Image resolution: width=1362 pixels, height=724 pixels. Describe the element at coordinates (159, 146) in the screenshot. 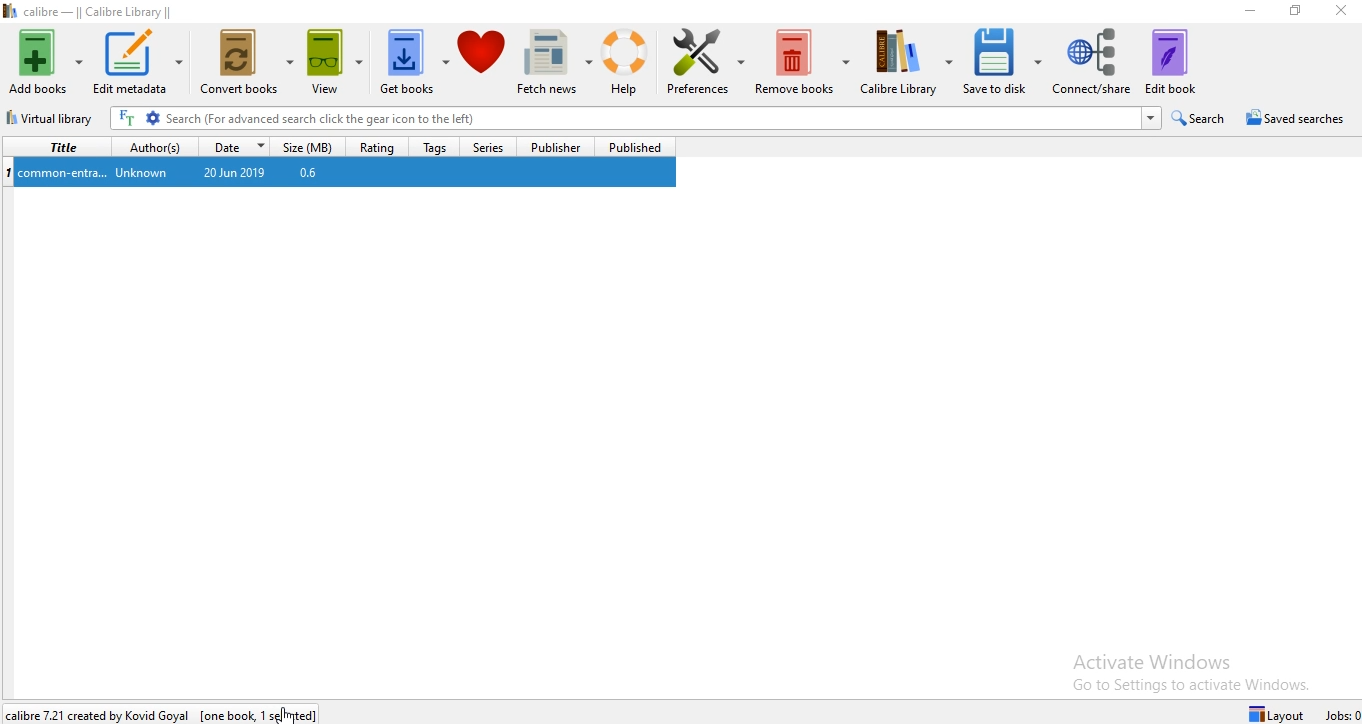

I see `Author(s)` at that location.